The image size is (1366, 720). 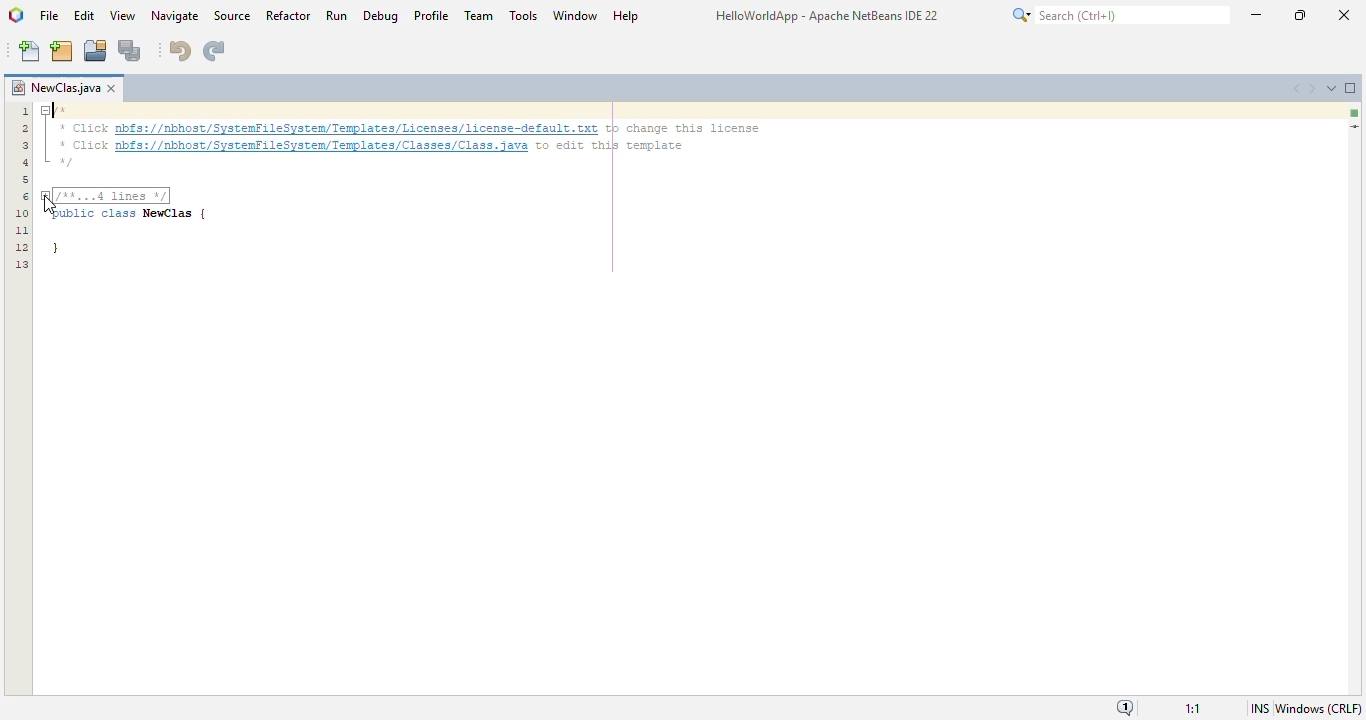 I want to click on Line numbers, so click(x=26, y=143).